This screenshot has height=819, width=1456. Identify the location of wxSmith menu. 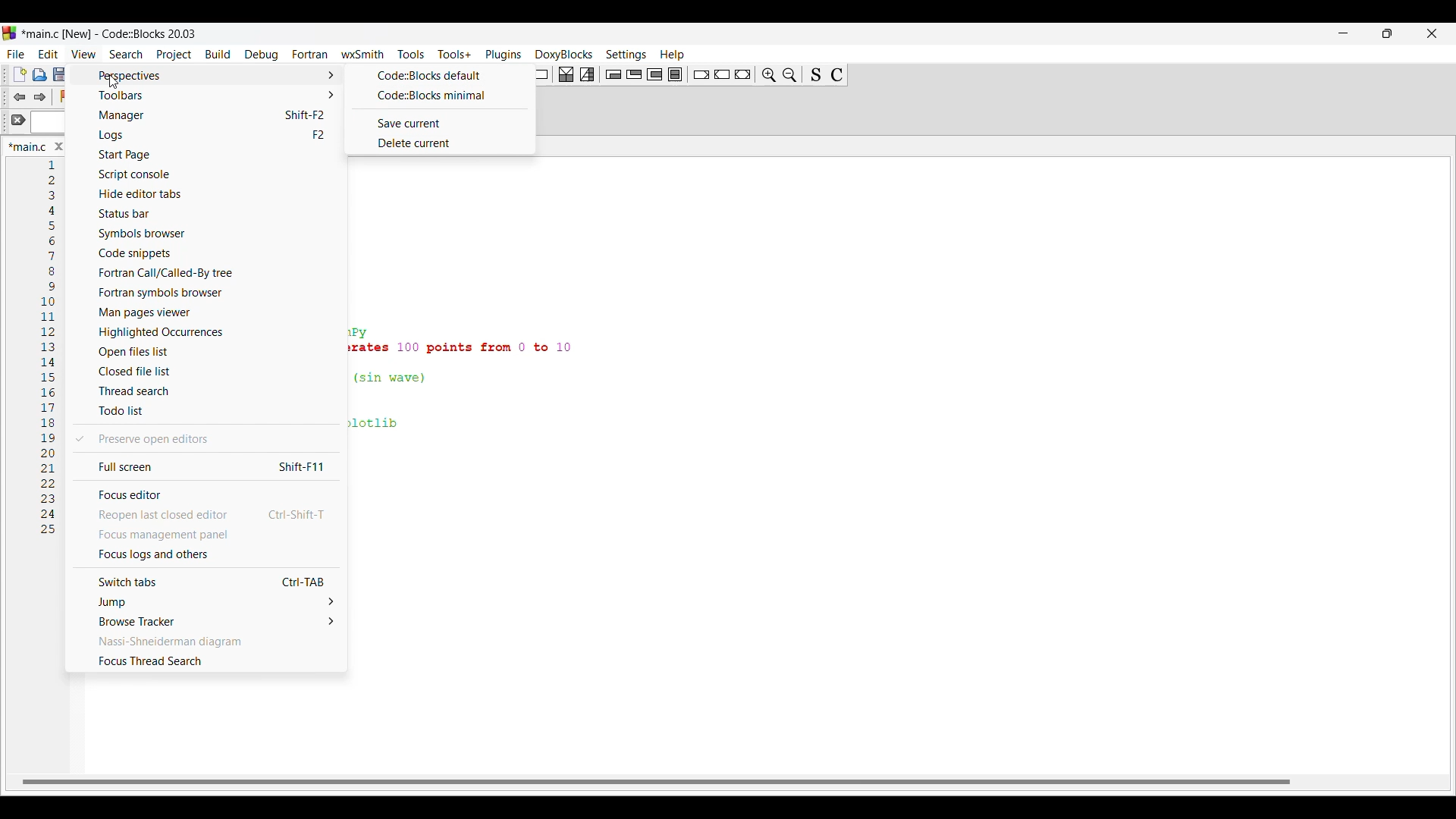
(363, 54).